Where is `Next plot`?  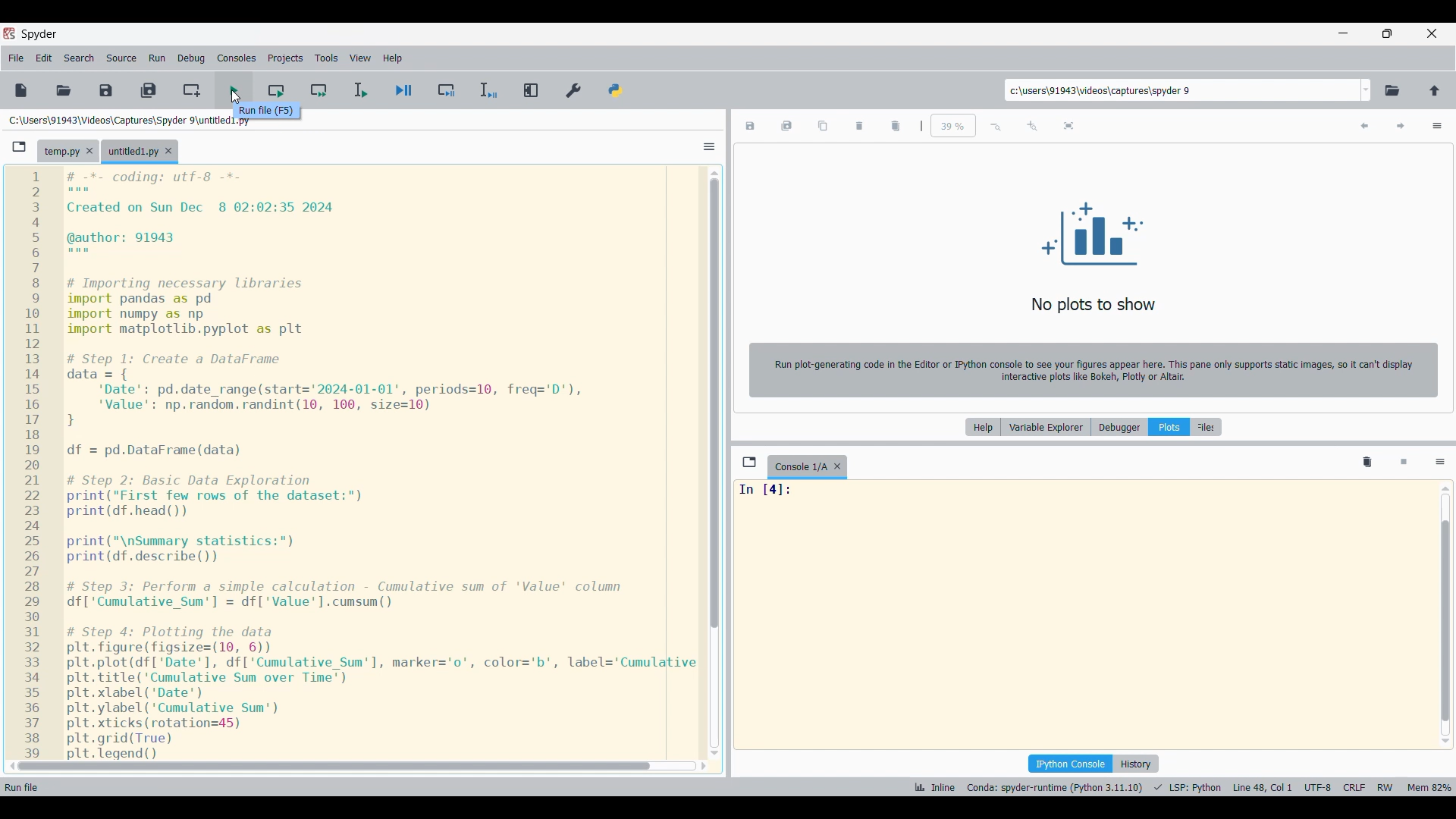 Next plot is located at coordinates (1401, 126).